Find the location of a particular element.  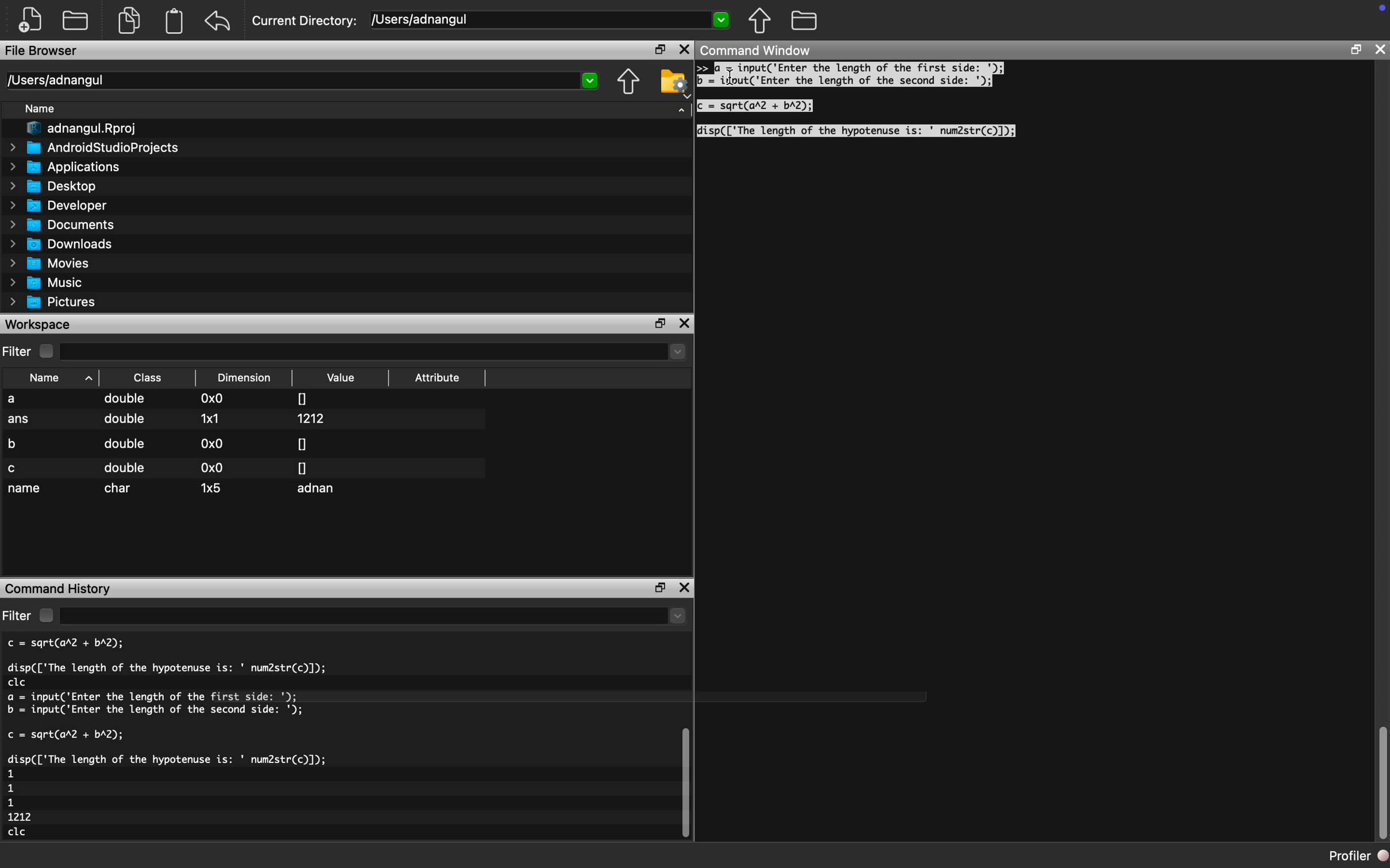

 Movies is located at coordinates (51, 263).